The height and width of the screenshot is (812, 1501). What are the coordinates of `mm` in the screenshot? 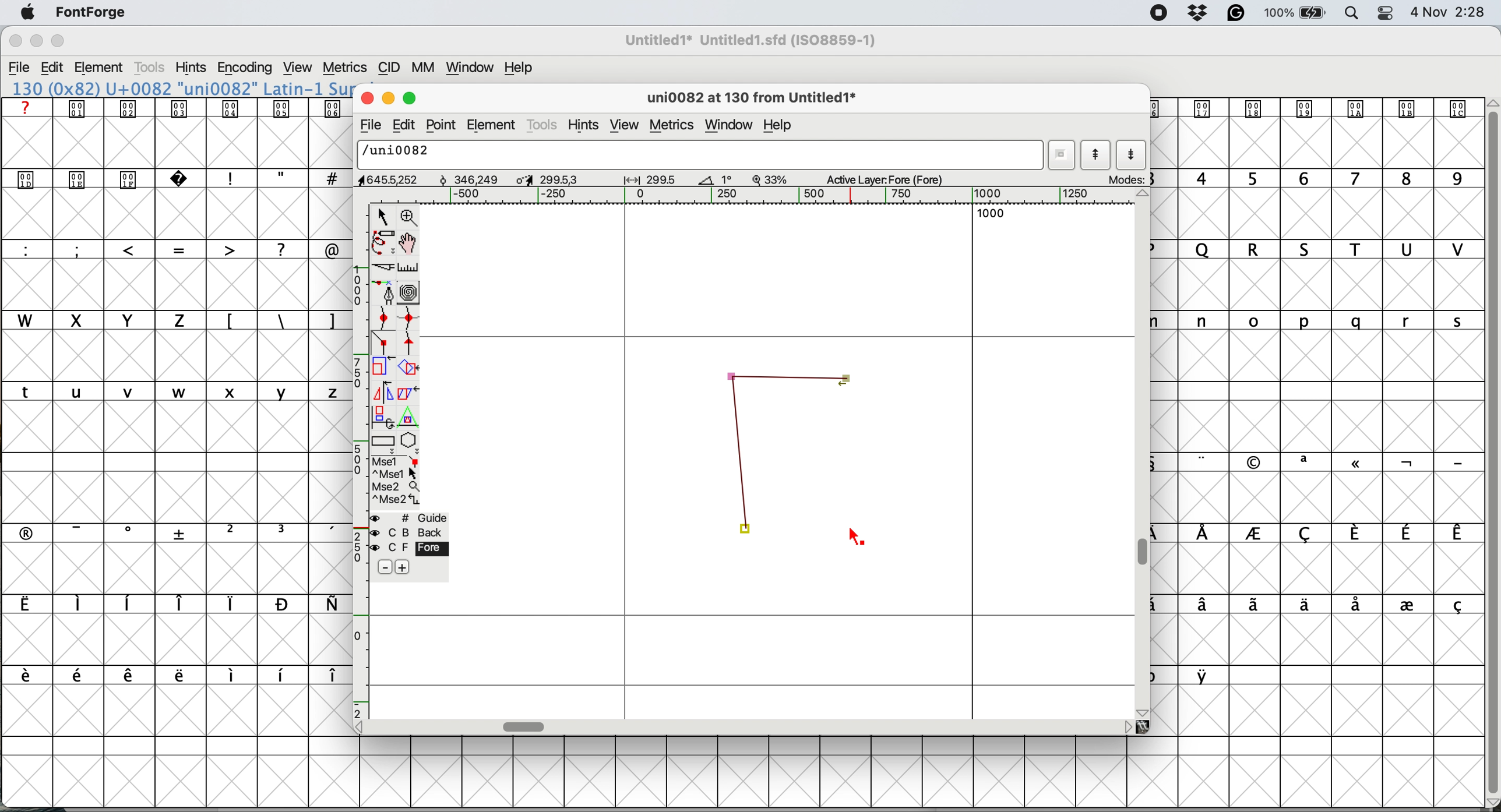 It's located at (427, 68).